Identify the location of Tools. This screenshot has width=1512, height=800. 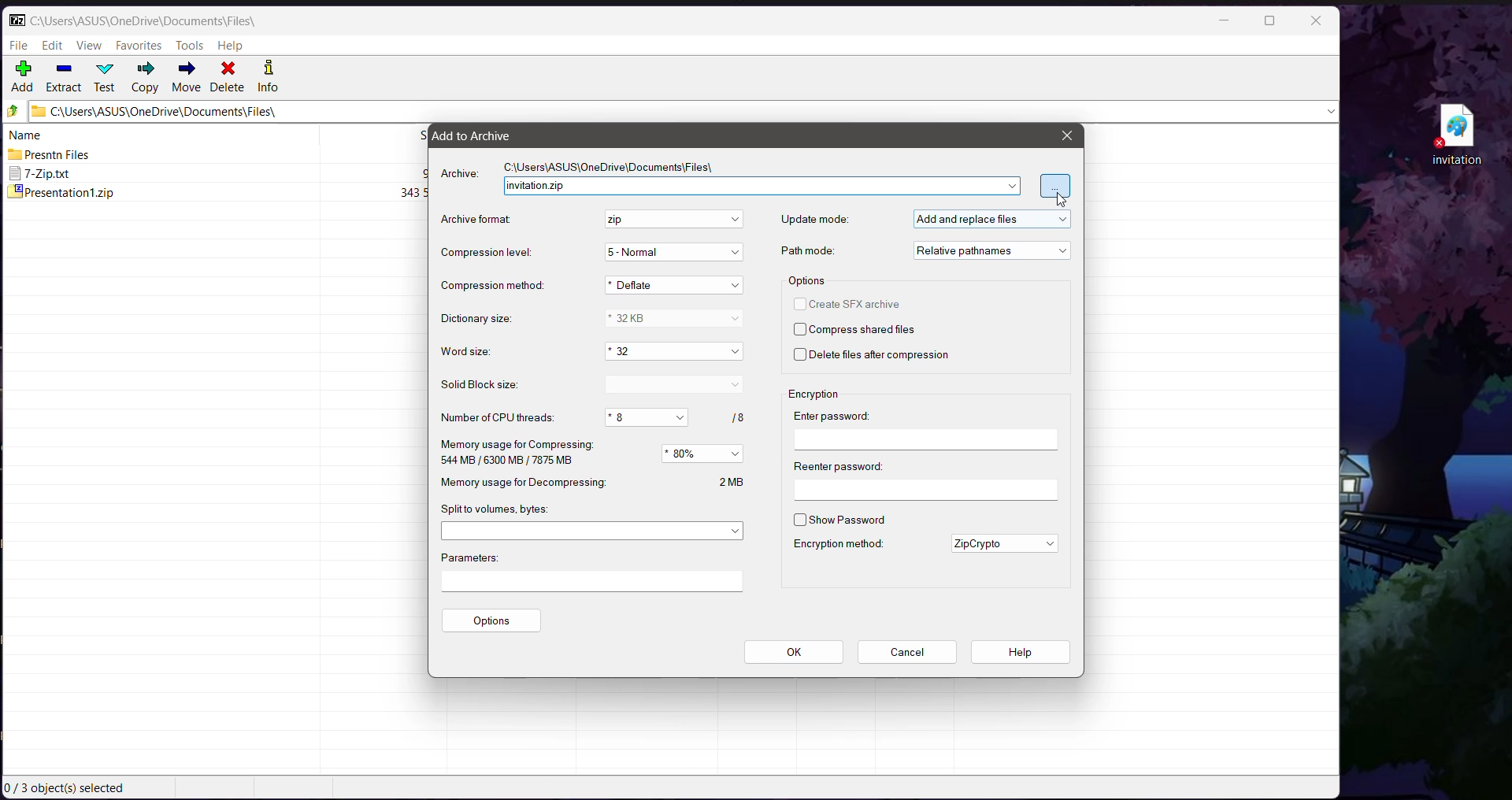
(189, 46).